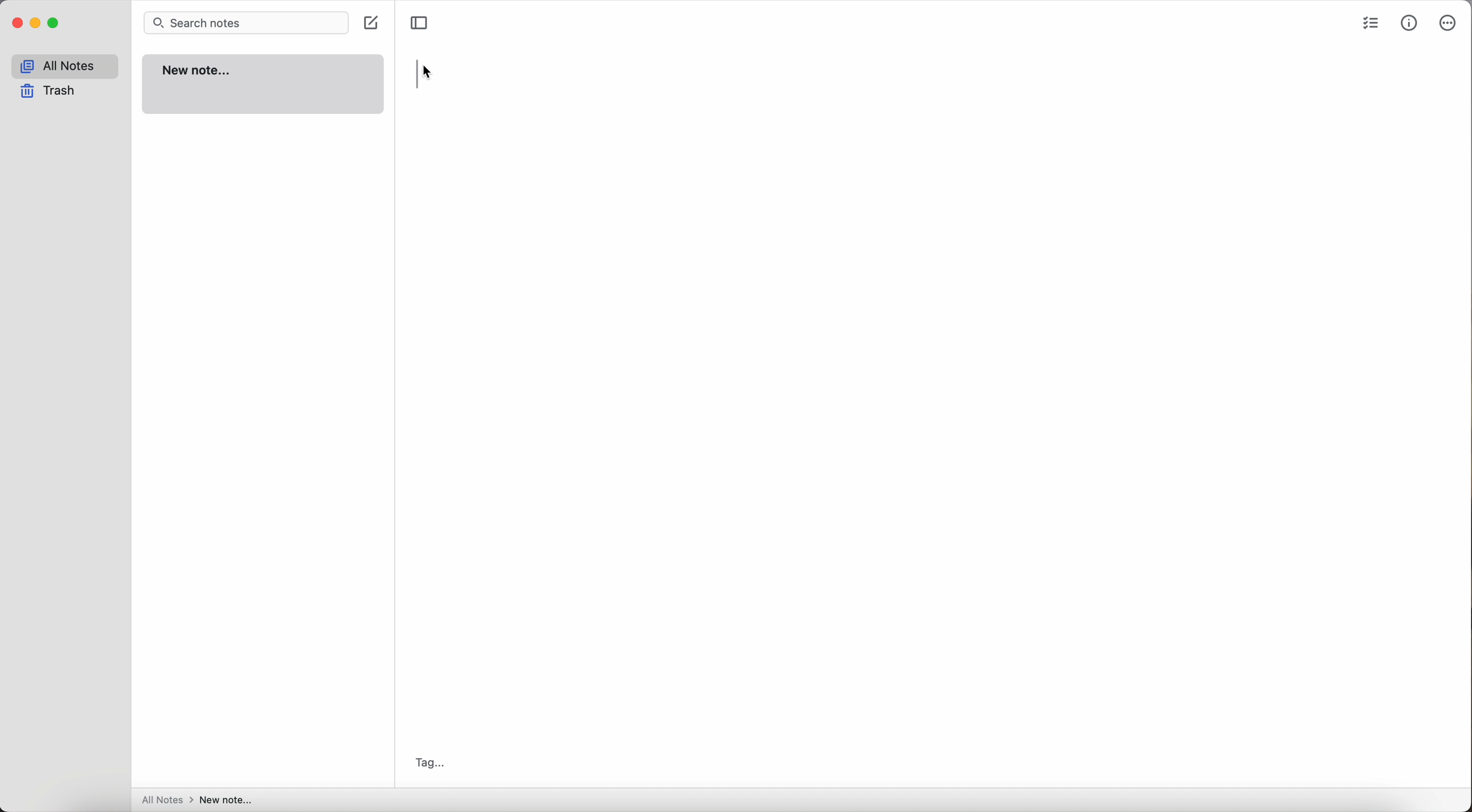 Image resolution: width=1472 pixels, height=812 pixels. I want to click on new note, so click(264, 85).